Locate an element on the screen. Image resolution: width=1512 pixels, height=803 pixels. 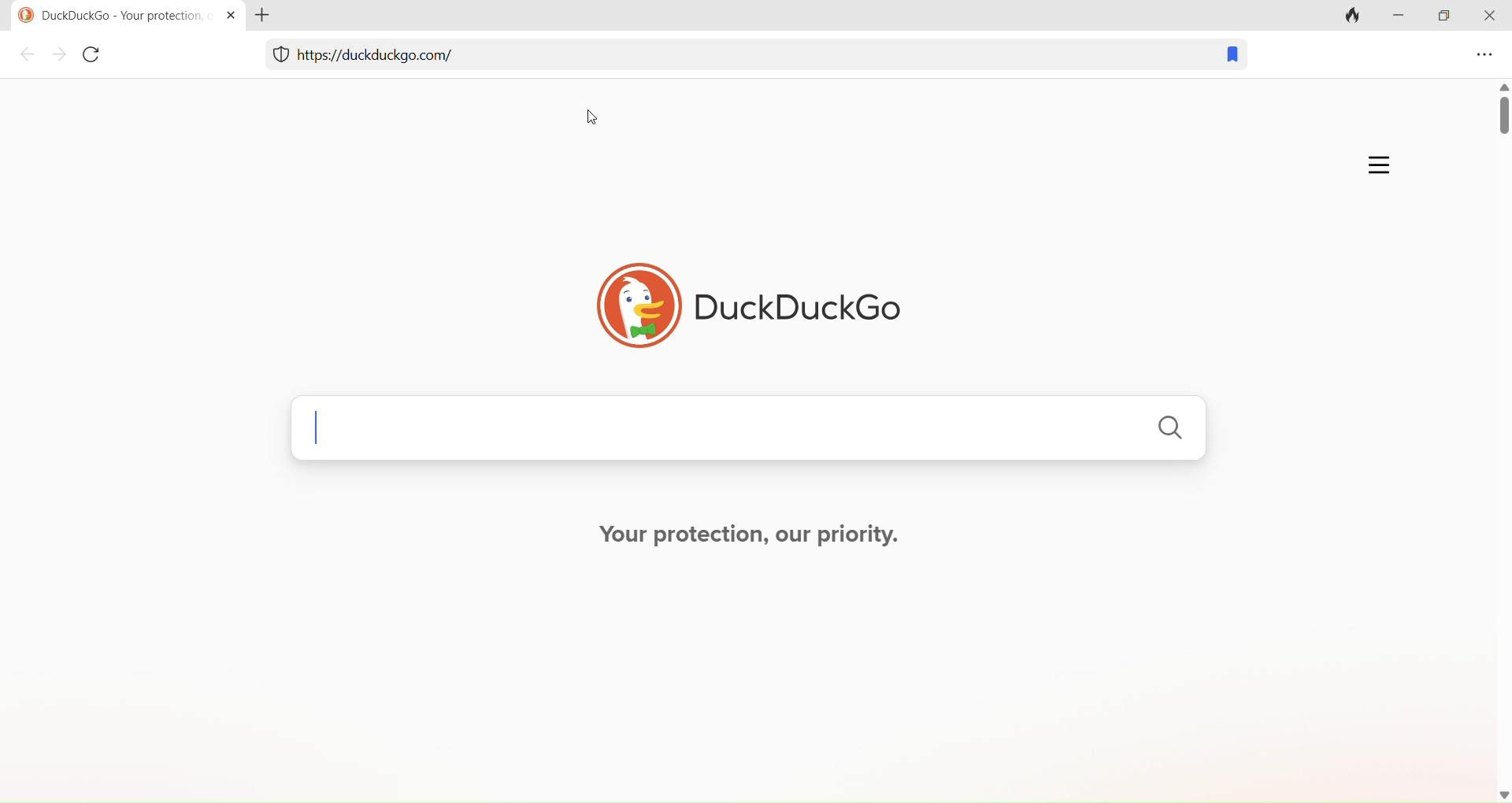
close is located at coordinates (1489, 17).